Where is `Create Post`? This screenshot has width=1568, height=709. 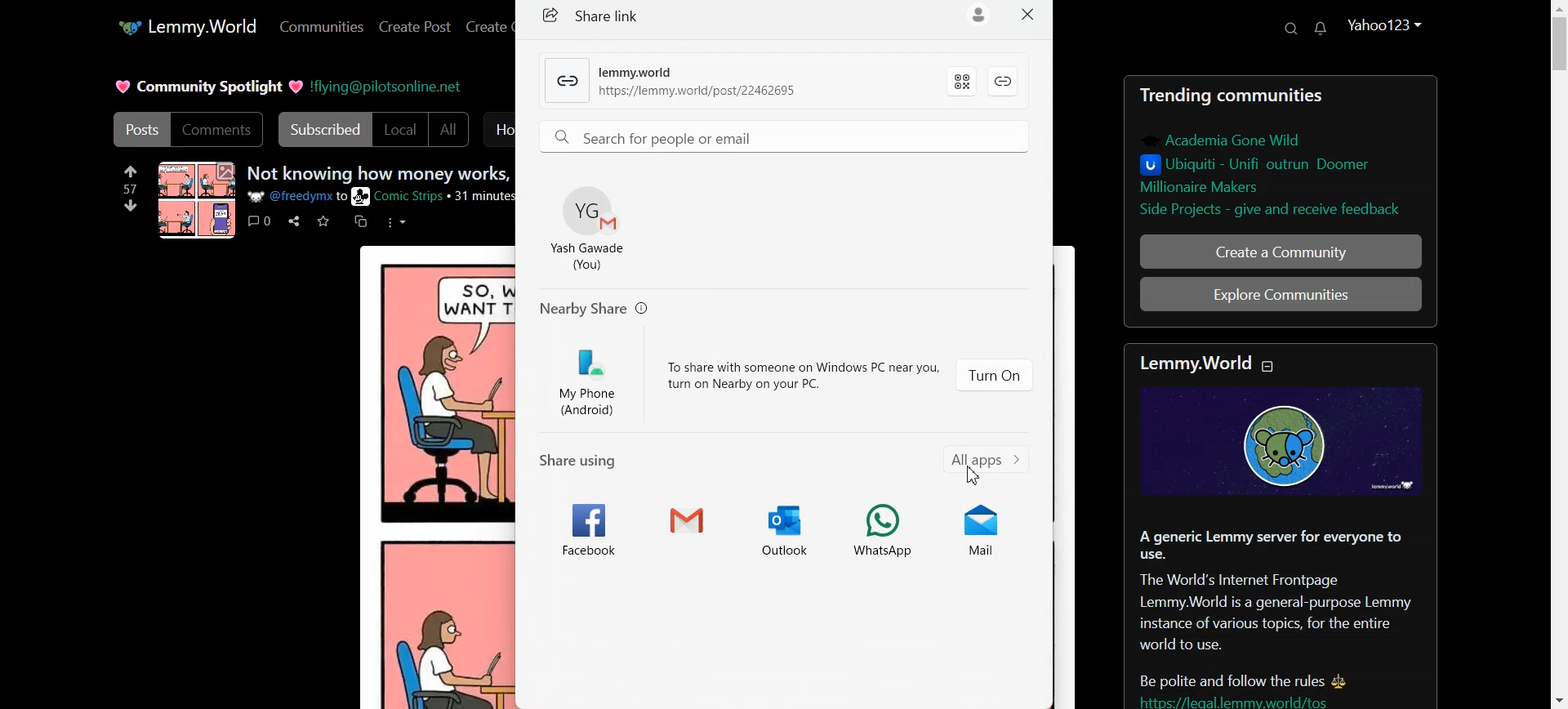
Create Post is located at coordinates (416, 26).